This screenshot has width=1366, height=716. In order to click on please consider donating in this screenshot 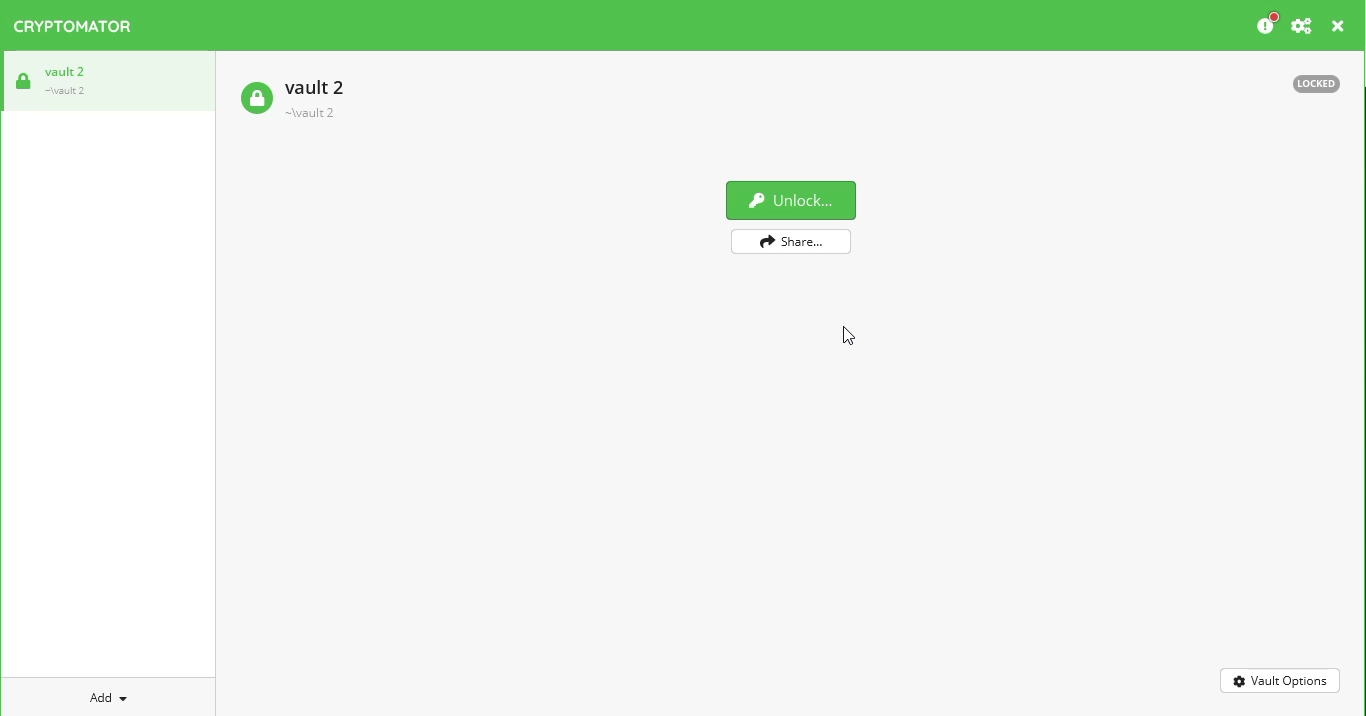, I will do `click(1267, 23)`.